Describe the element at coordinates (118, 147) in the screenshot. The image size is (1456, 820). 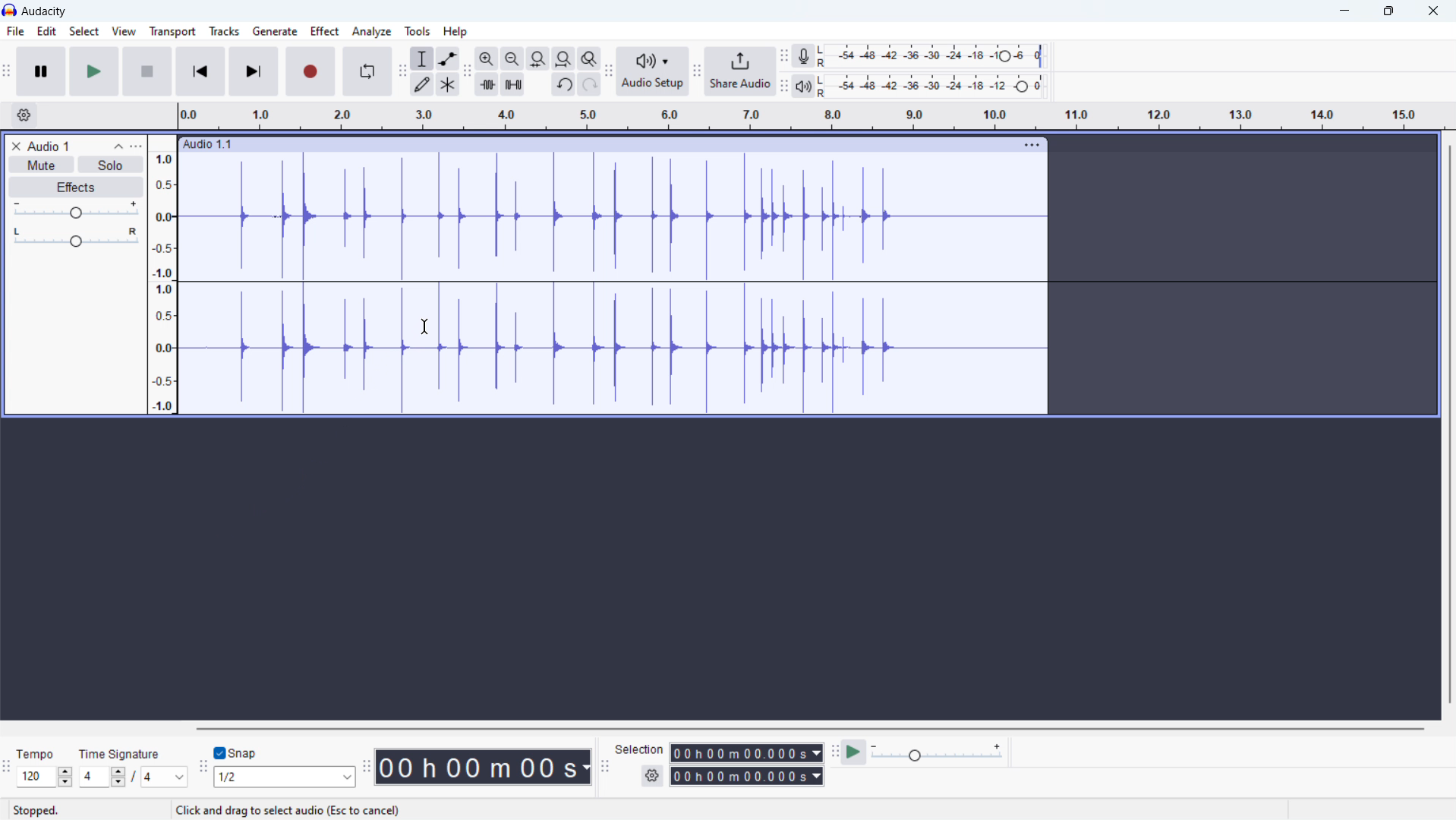
I see `collapse` at that location.